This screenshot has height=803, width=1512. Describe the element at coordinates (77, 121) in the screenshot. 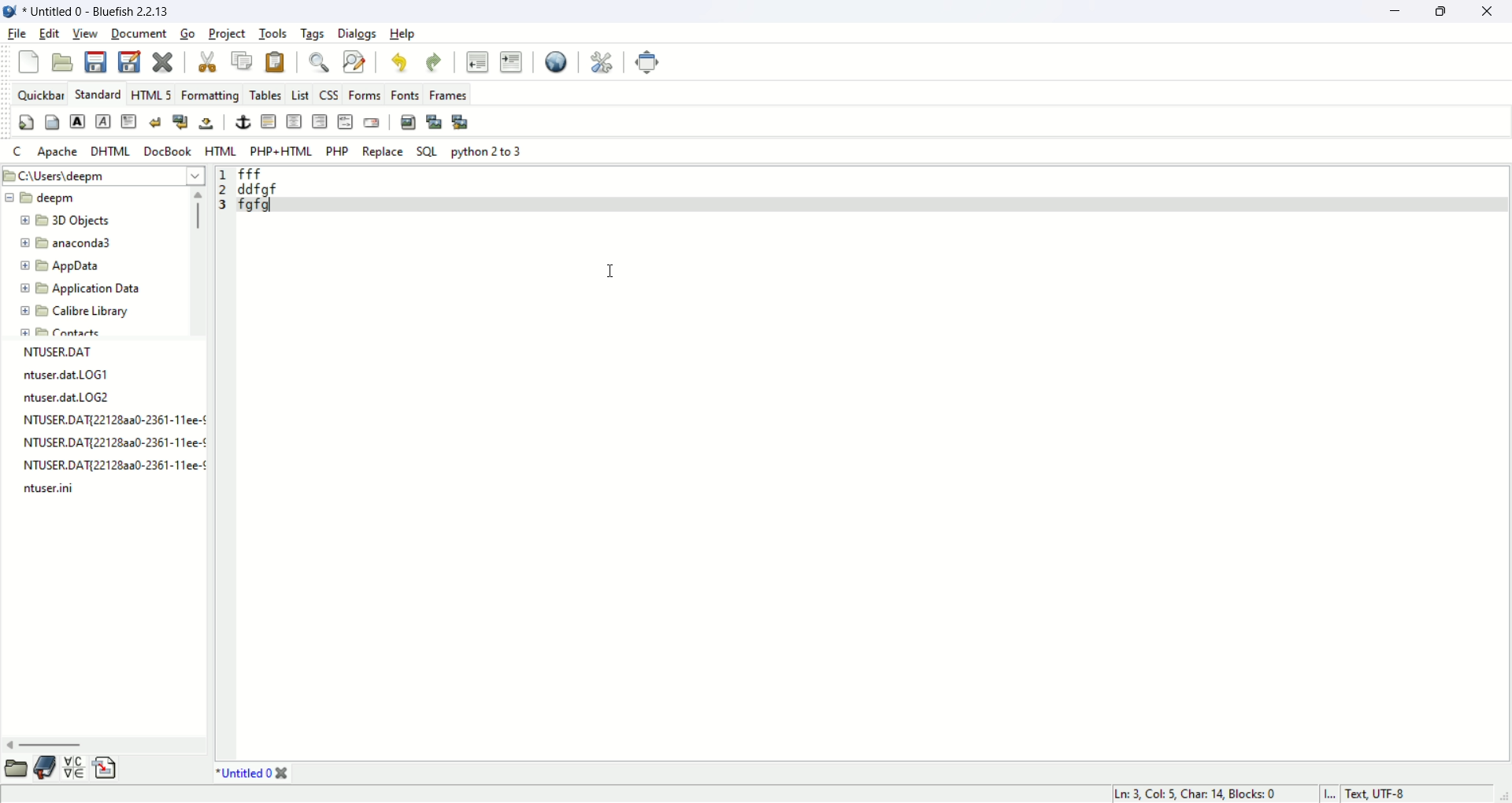

I see `strong` at that location.